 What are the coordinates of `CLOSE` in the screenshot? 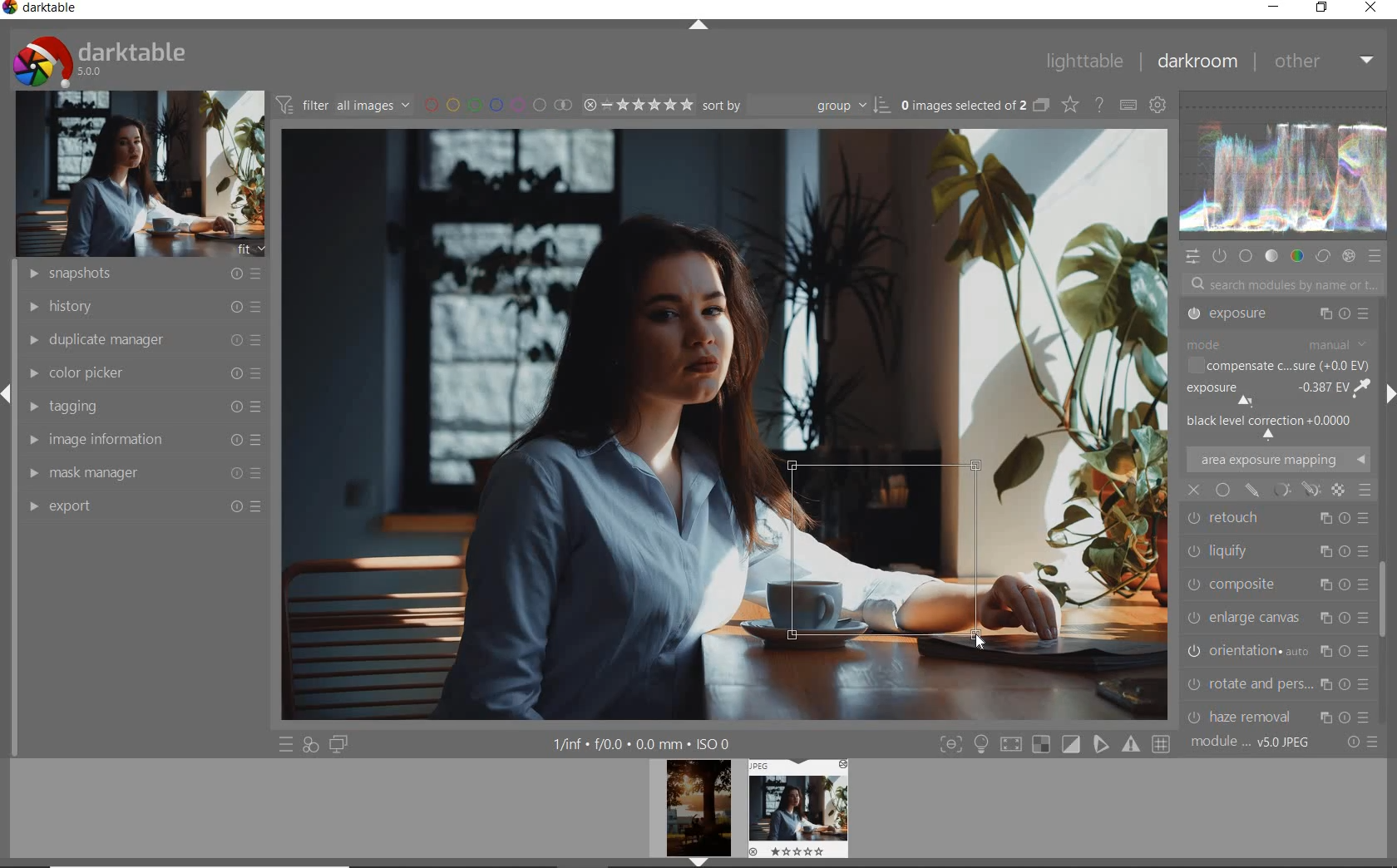 It's located at (1370, 8).